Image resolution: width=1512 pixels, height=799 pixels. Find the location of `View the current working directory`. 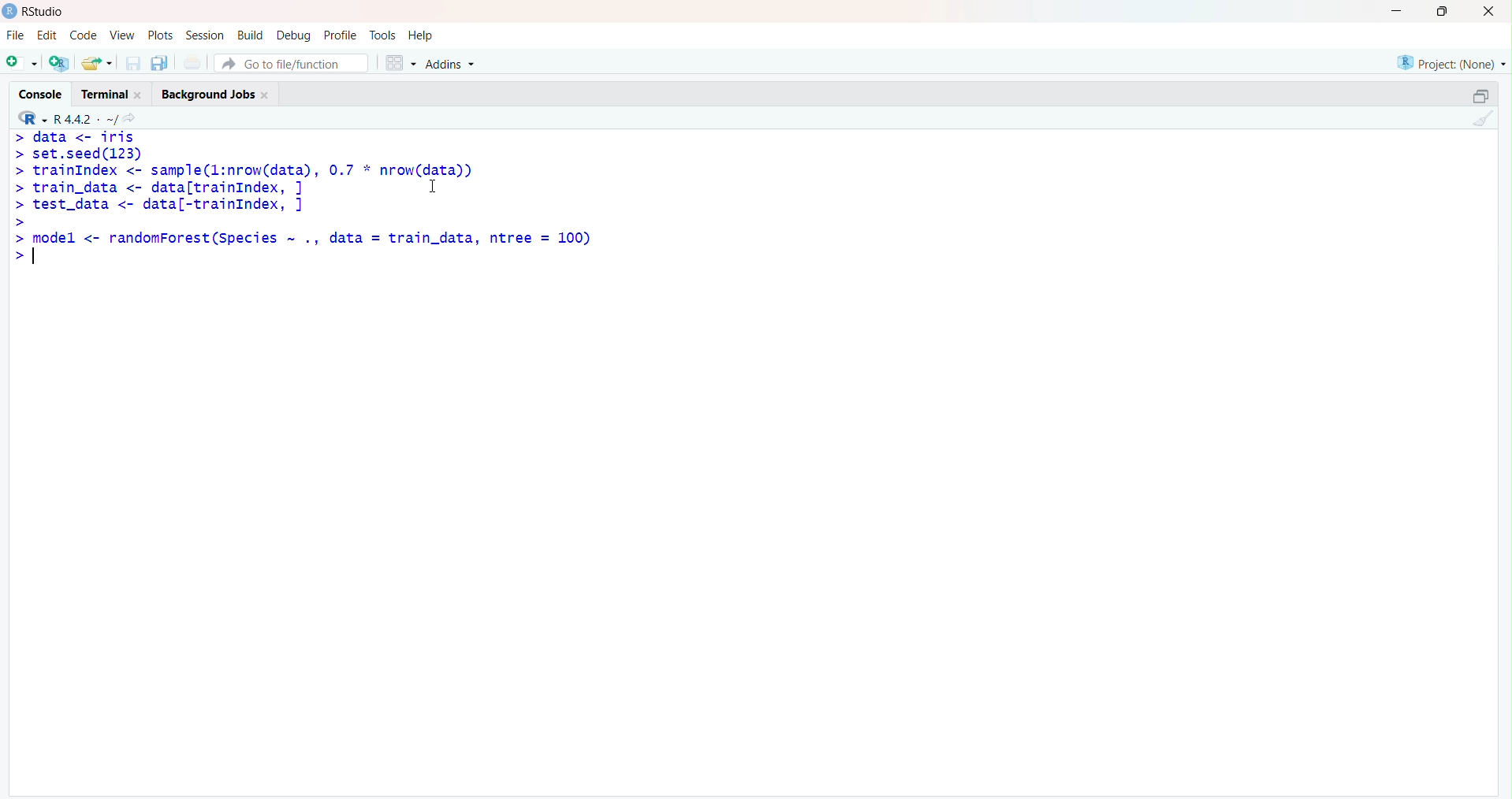

View the current working directory is located at coordinates (136, 117).